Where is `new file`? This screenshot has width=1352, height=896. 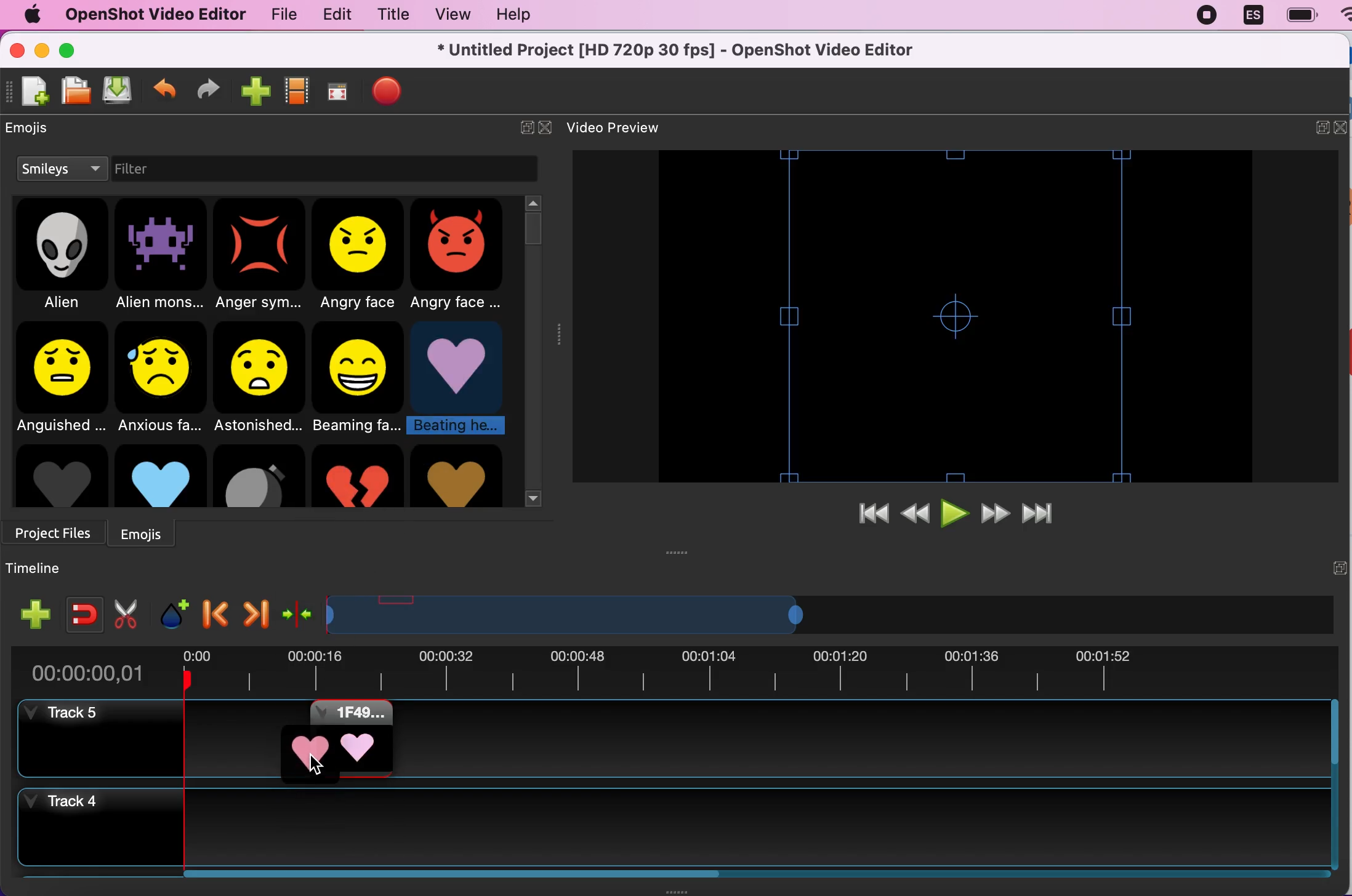 new file is located at coordinates (29, 97).